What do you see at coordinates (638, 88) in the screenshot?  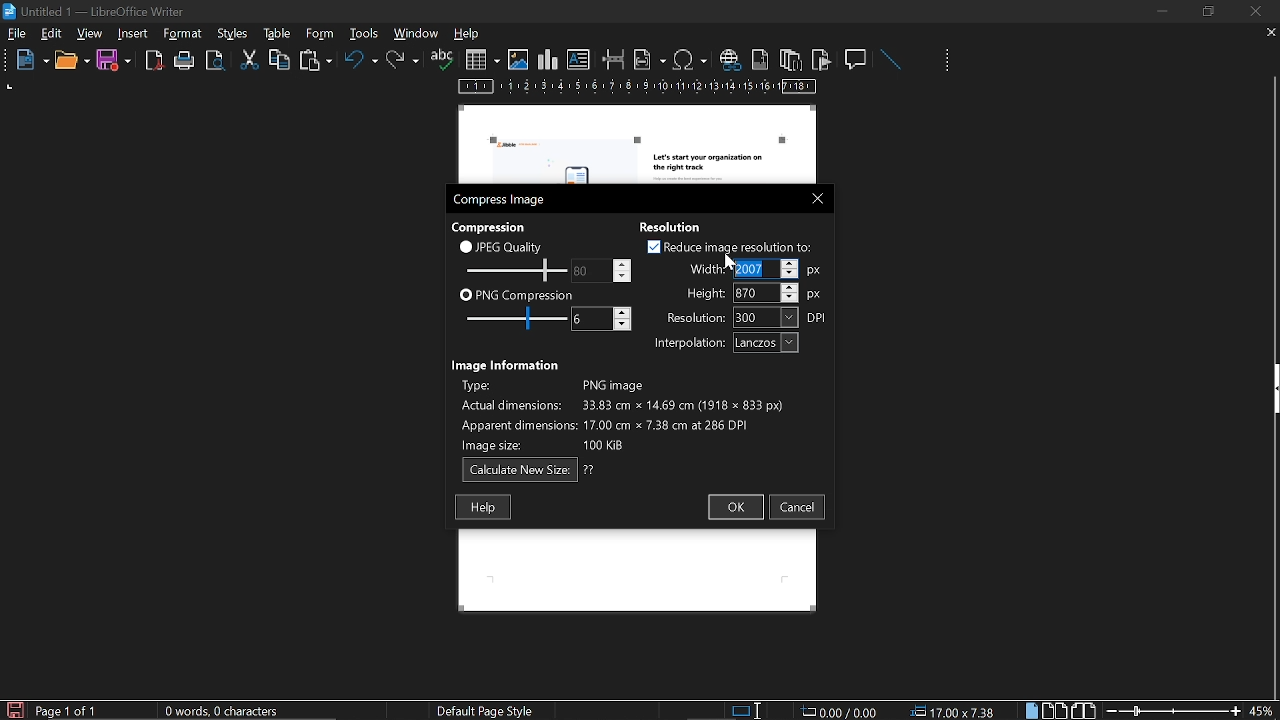 I see `scale` at bounding box center [638, 88].